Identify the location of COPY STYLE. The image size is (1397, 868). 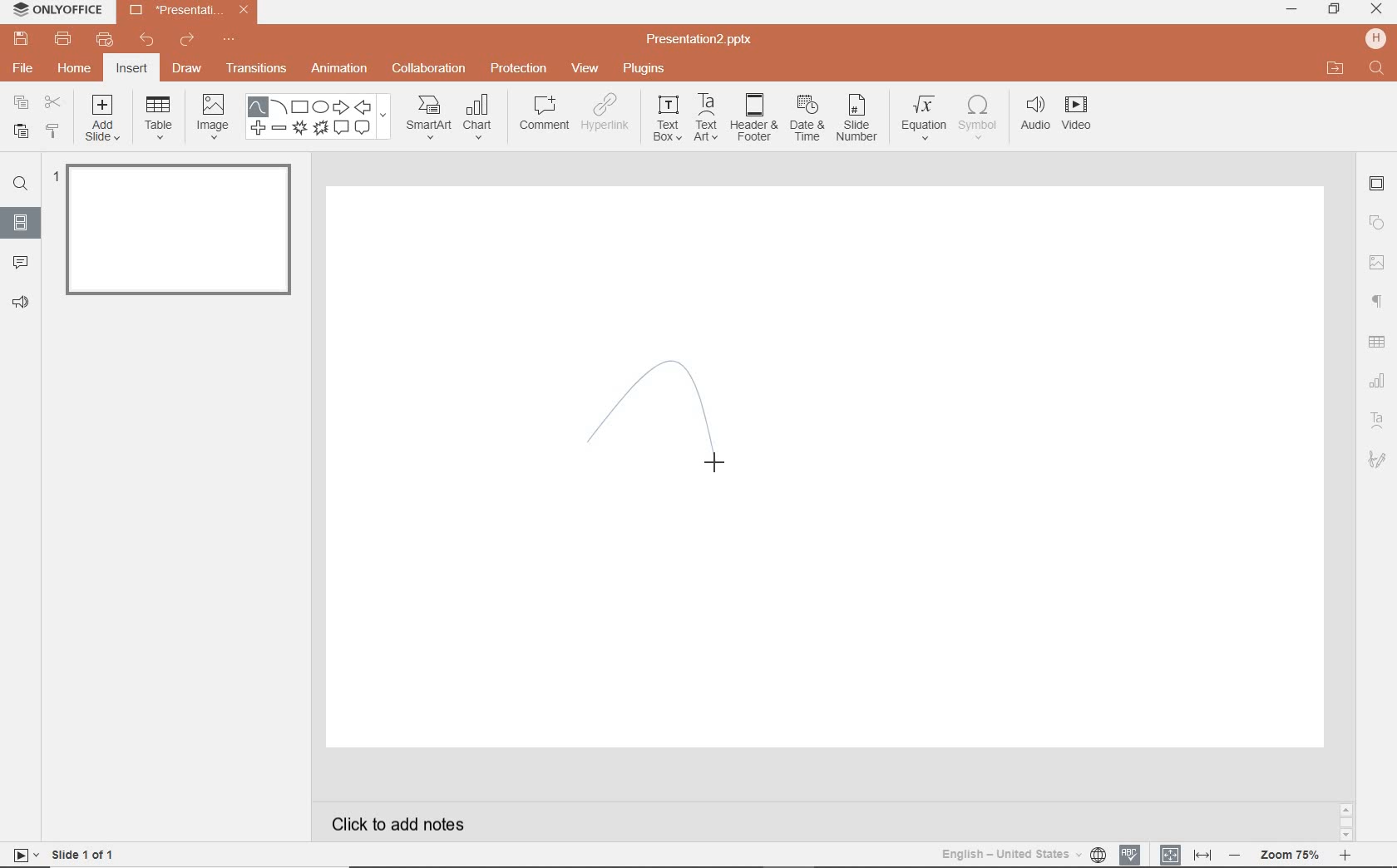
(52, 131).